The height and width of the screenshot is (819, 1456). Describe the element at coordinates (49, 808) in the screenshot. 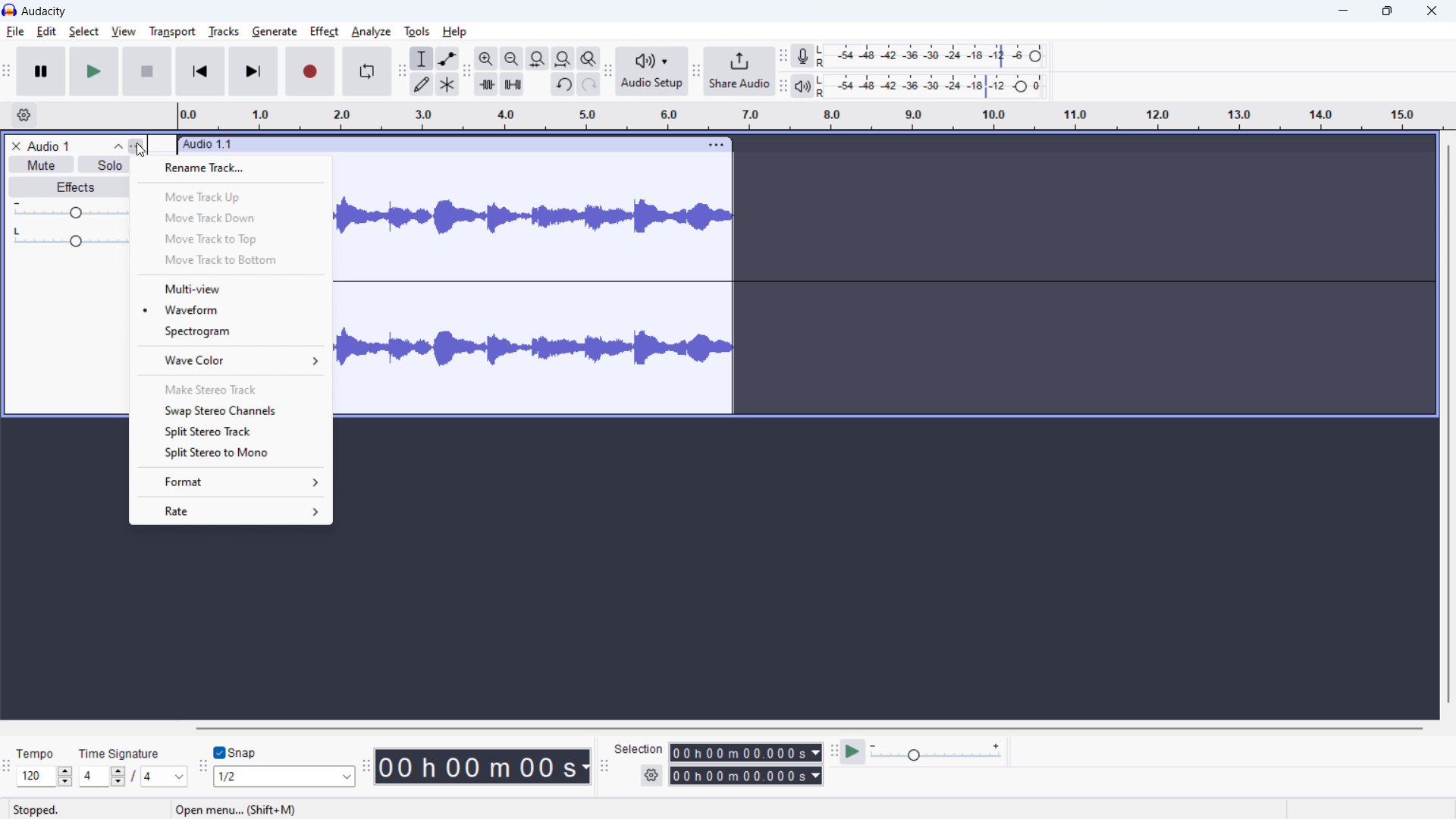

I see `tempo` at that location.